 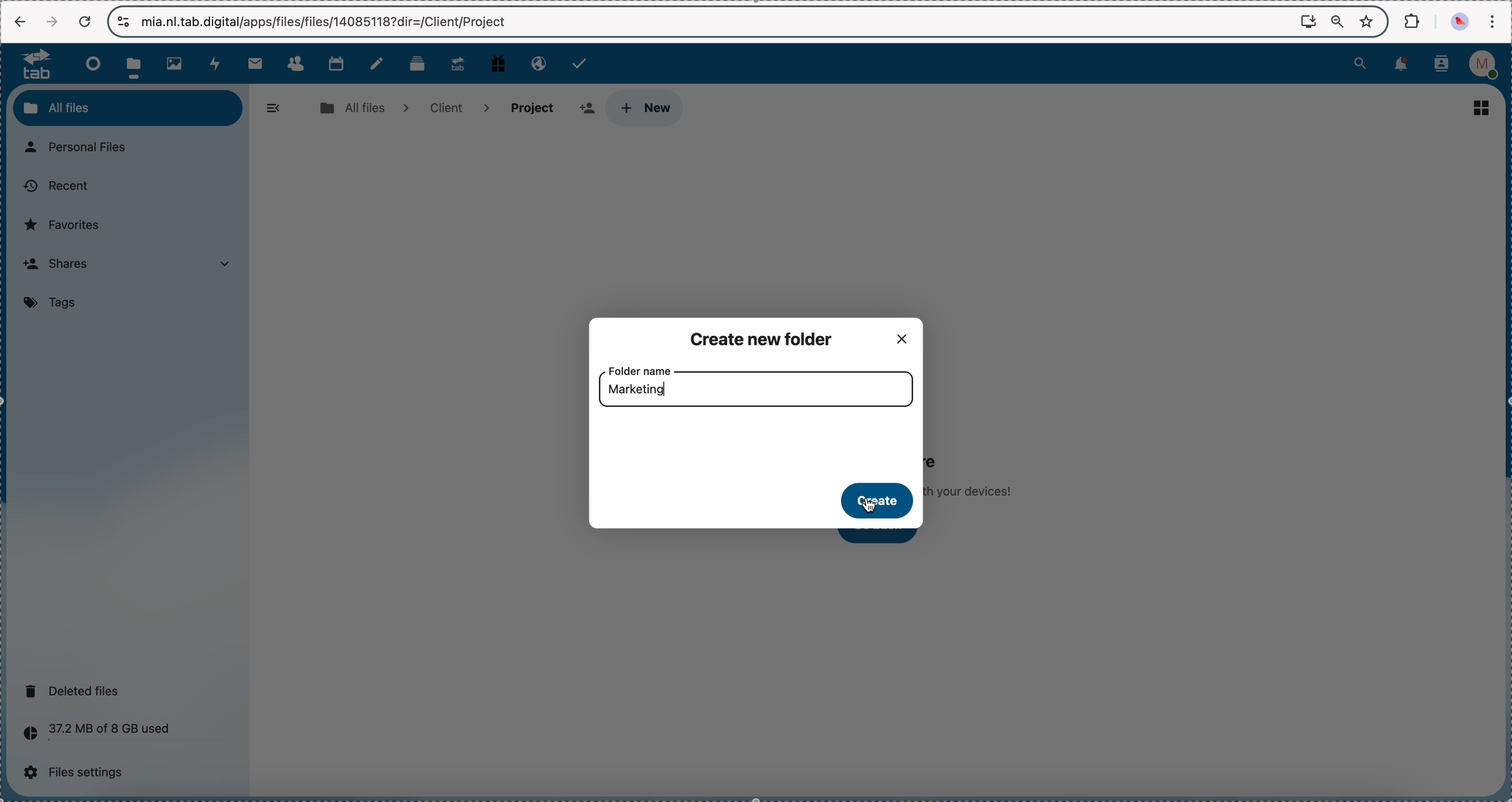 What do you see at coordinates (1481, 107) in the screenshot?
I see `list view` at bounding box center [1481, 107].